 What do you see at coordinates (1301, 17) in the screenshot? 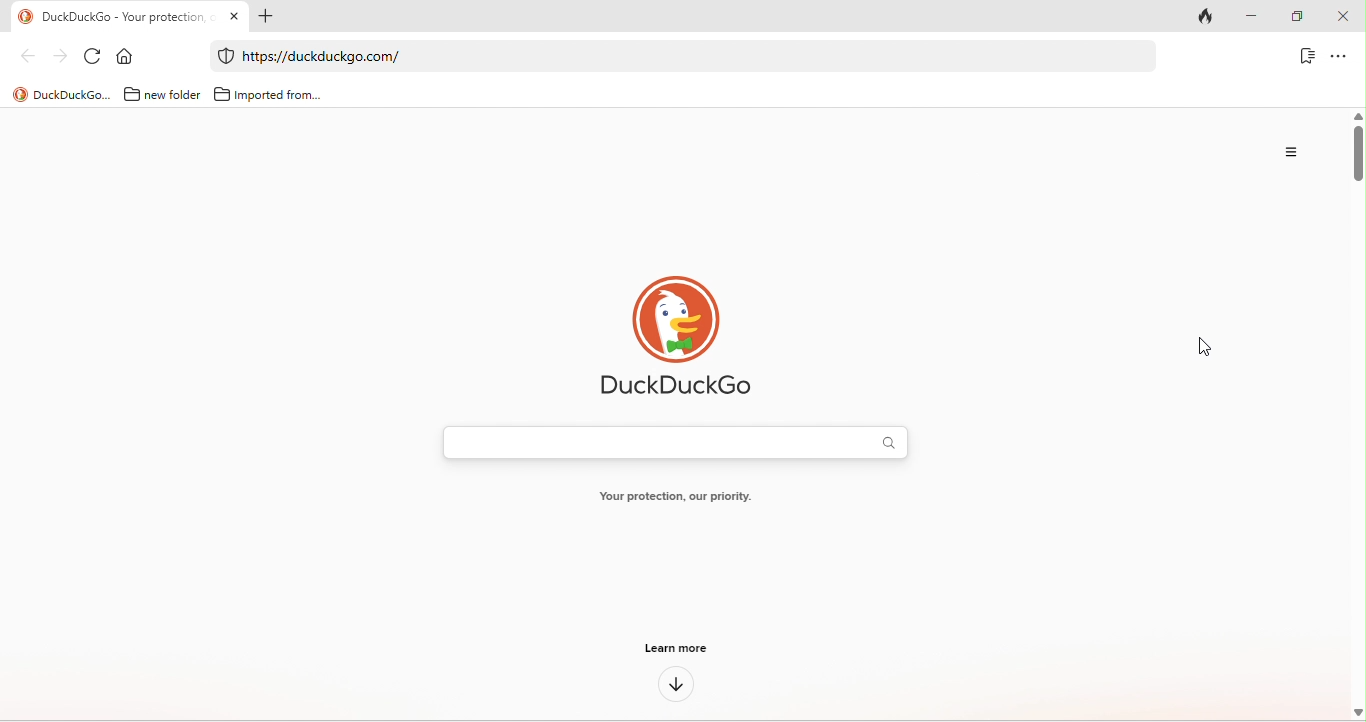
I see `maximize` at bounding box center [1301, 17].